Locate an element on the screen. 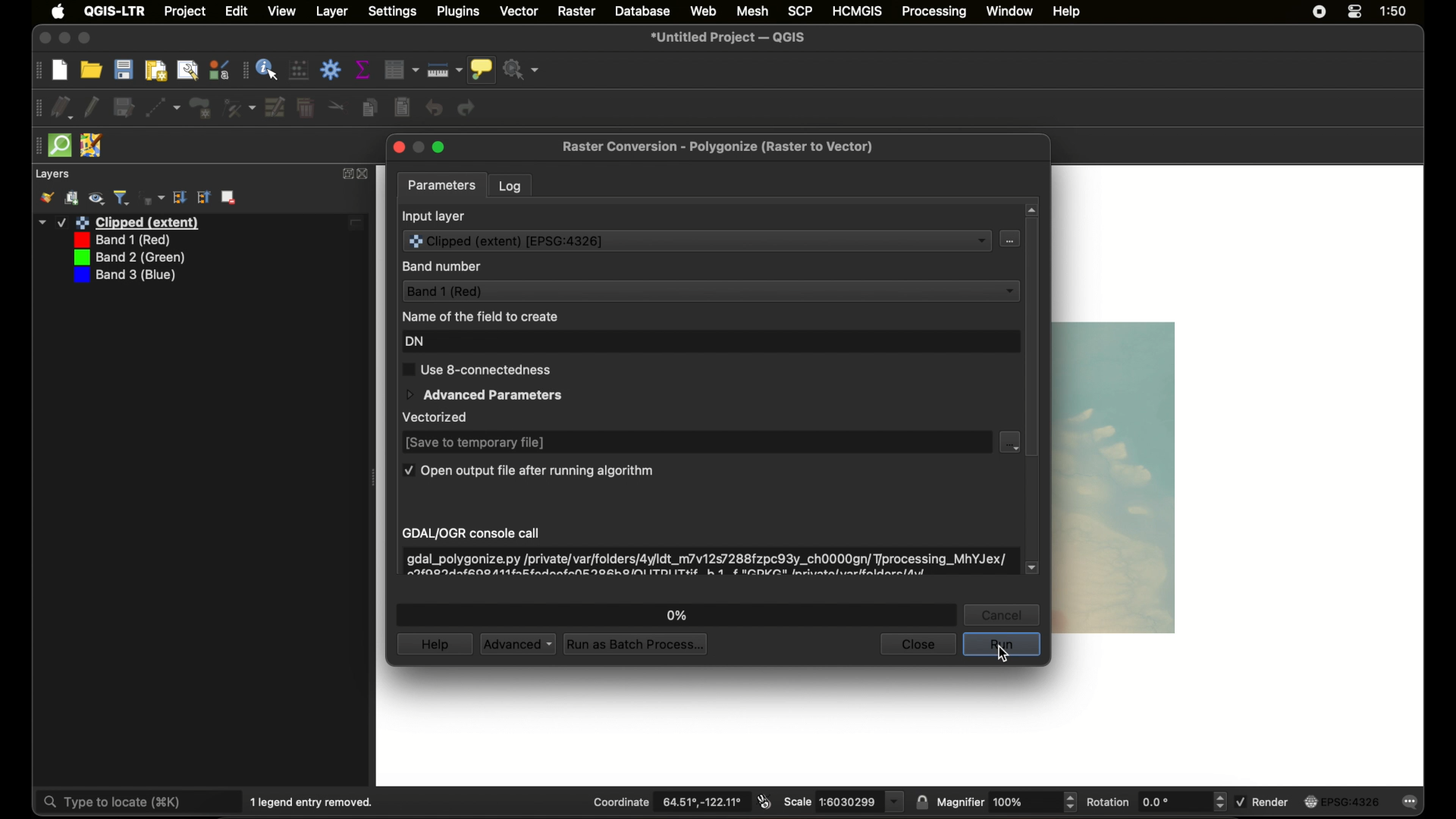 The height and width of the screenshot is (819, 1456). raster is located at coordinates (577, 12).